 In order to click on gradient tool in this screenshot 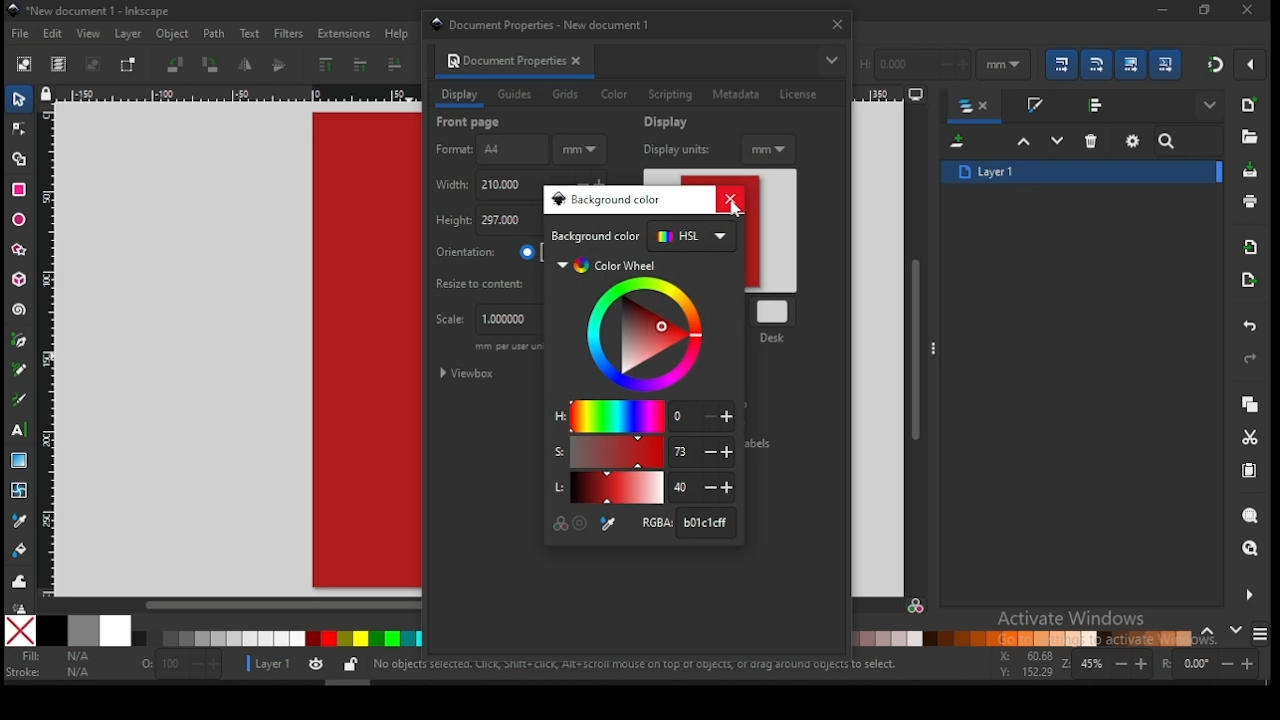, I will do `click(21, 462)`.